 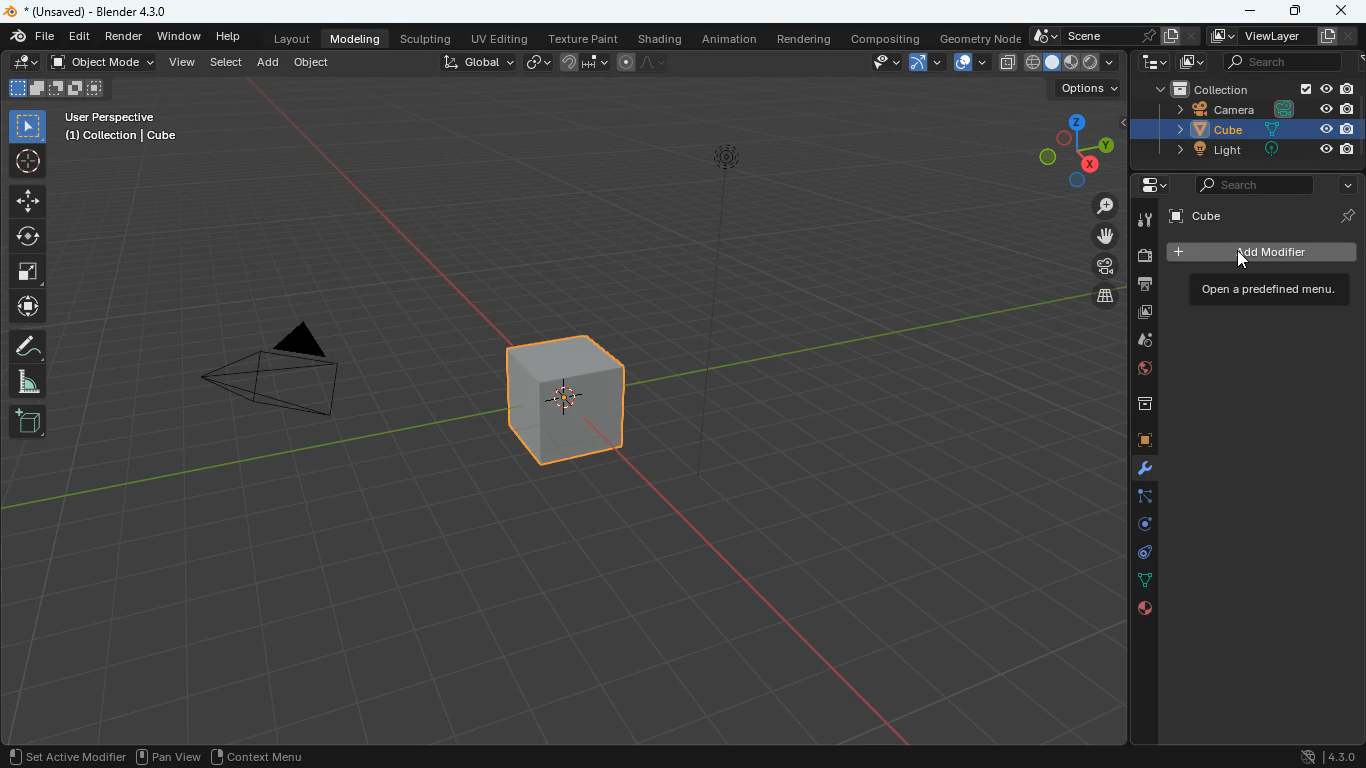 What do you see at coordinates (1265, 216) in the screenshot?
I see `cube` at bounding box center [1265, 216].